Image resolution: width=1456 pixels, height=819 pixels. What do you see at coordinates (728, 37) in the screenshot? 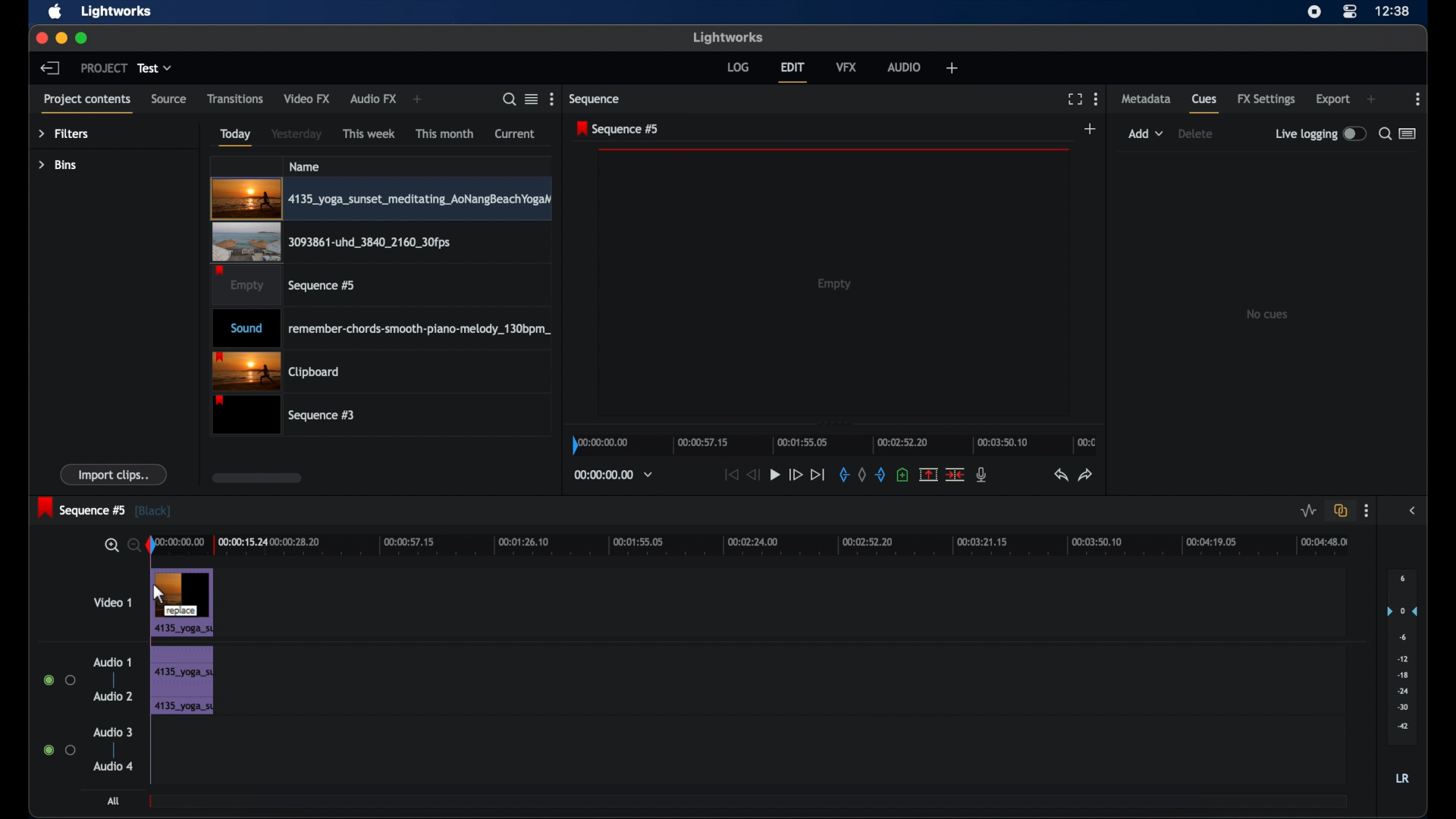
I see `lightworks` at bounding box center [728, 37].